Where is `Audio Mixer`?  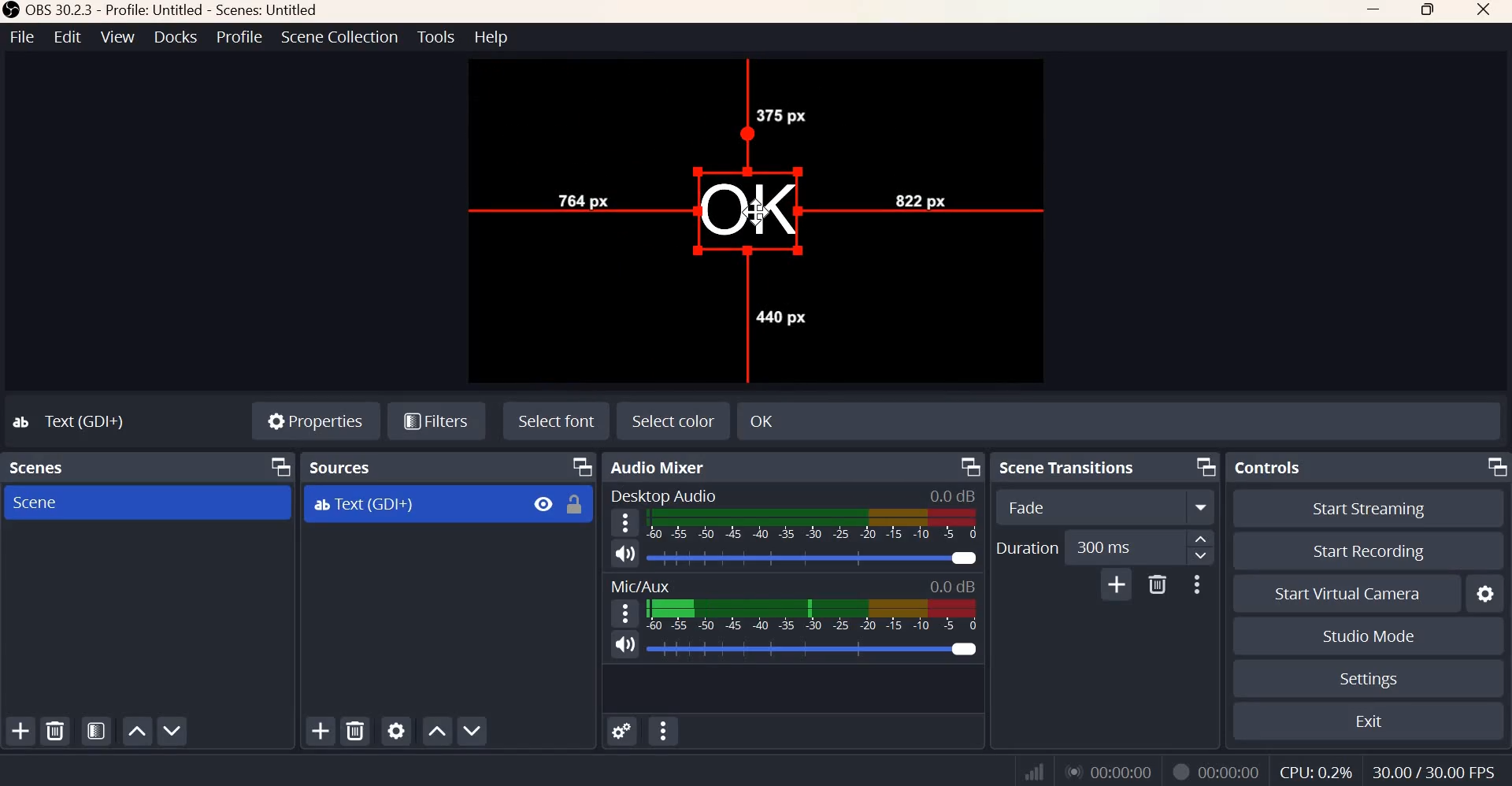 Audio Mixer is located at coordinates (661, 467).